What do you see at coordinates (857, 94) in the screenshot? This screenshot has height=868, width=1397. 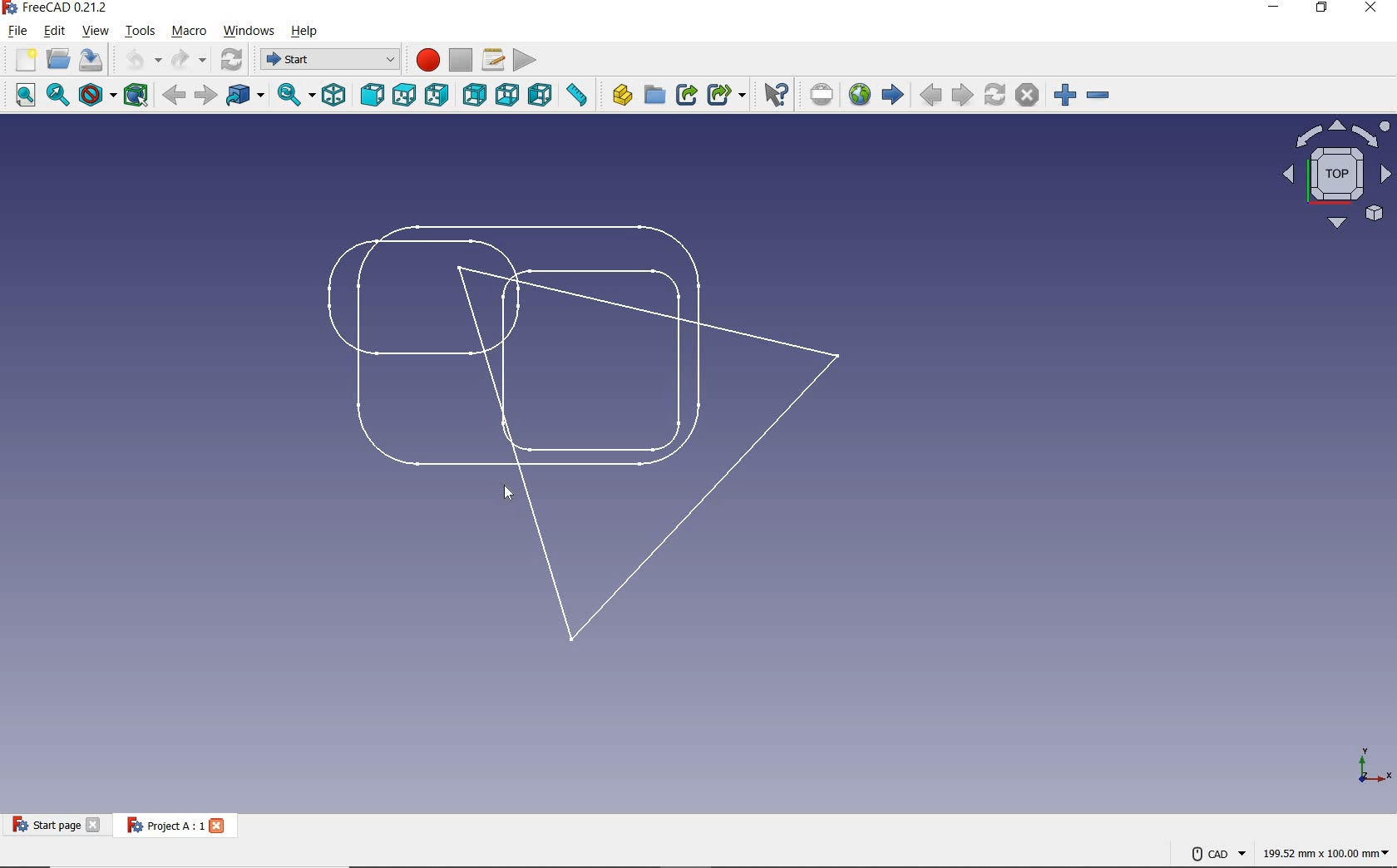 I see `OPEN WEBSITE` at bounding box center [857, 94].